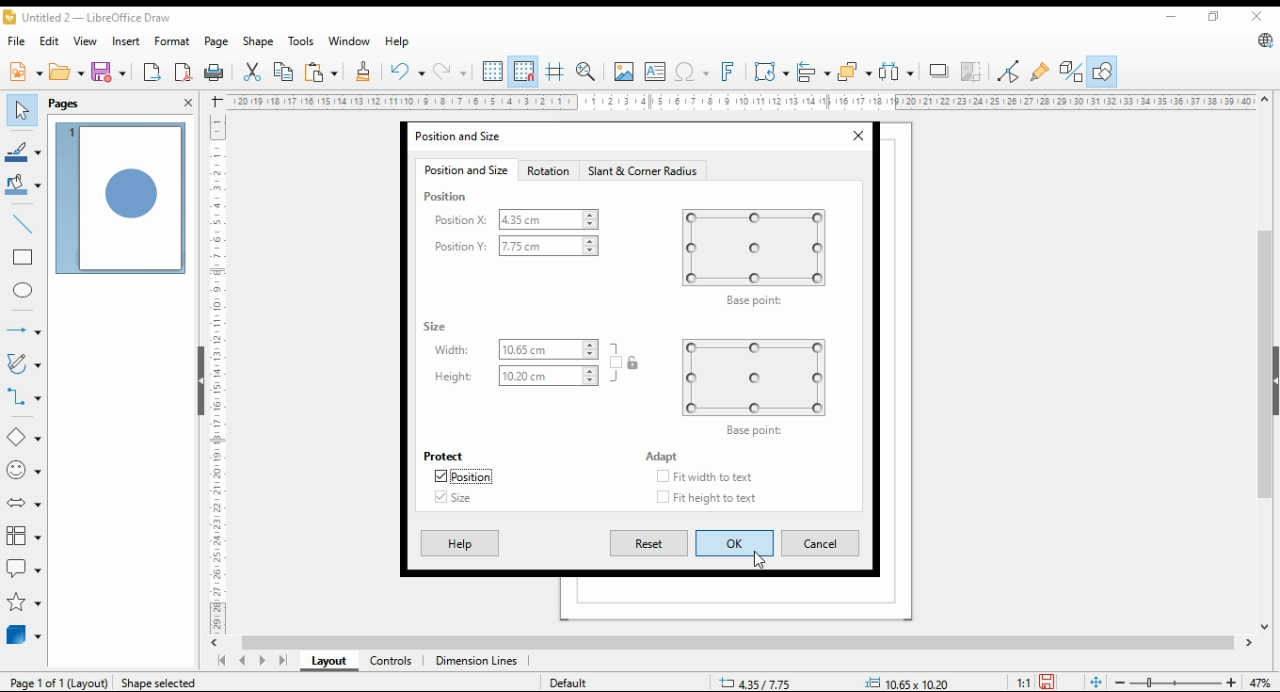 This screenshot has width=1280, height=692. Describe the element at coordinates (22, 436) in the screenshot. I see `simple shapes` at that location.